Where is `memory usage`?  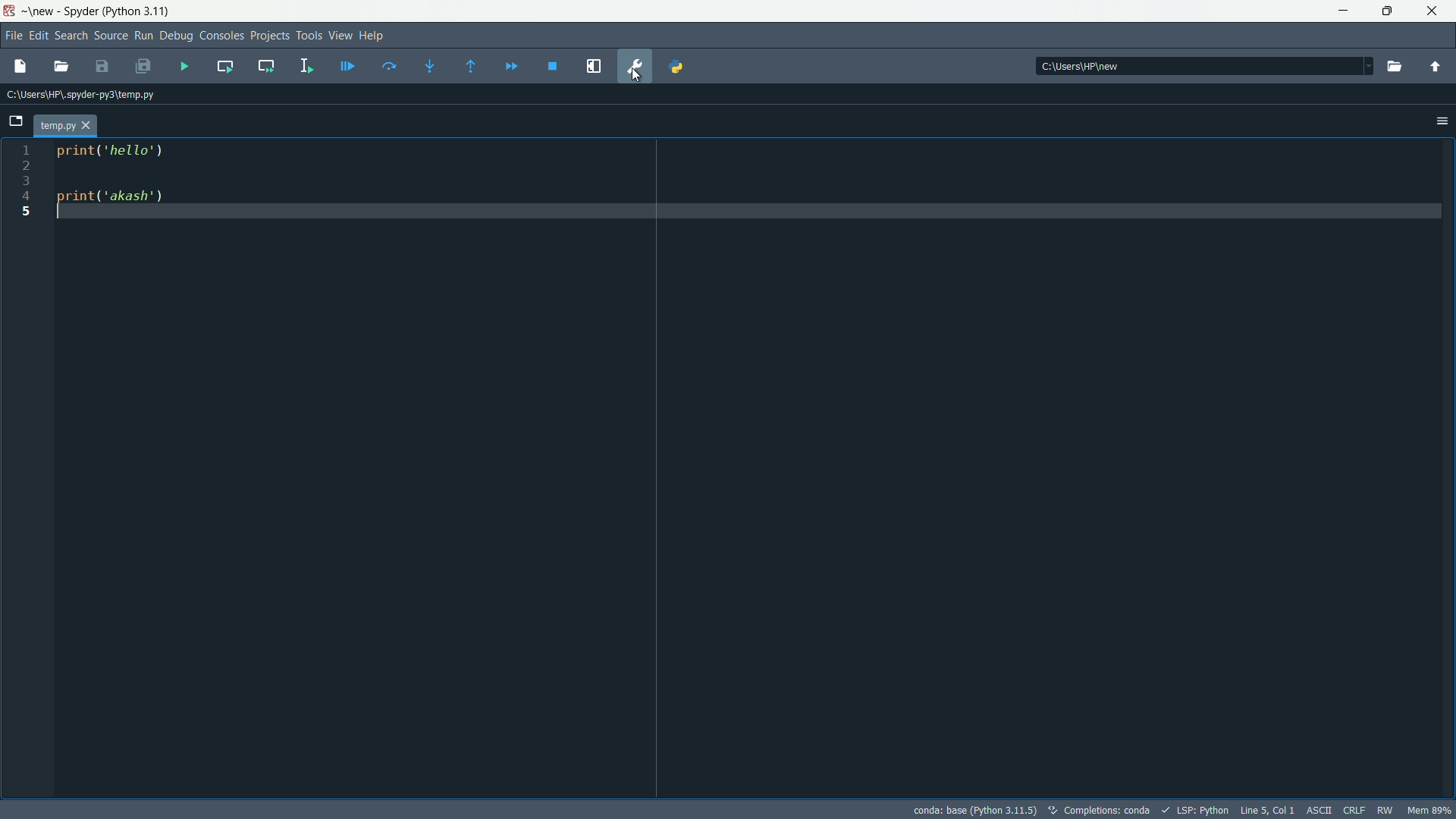
memory usage is located at coordinates (1432, 810).